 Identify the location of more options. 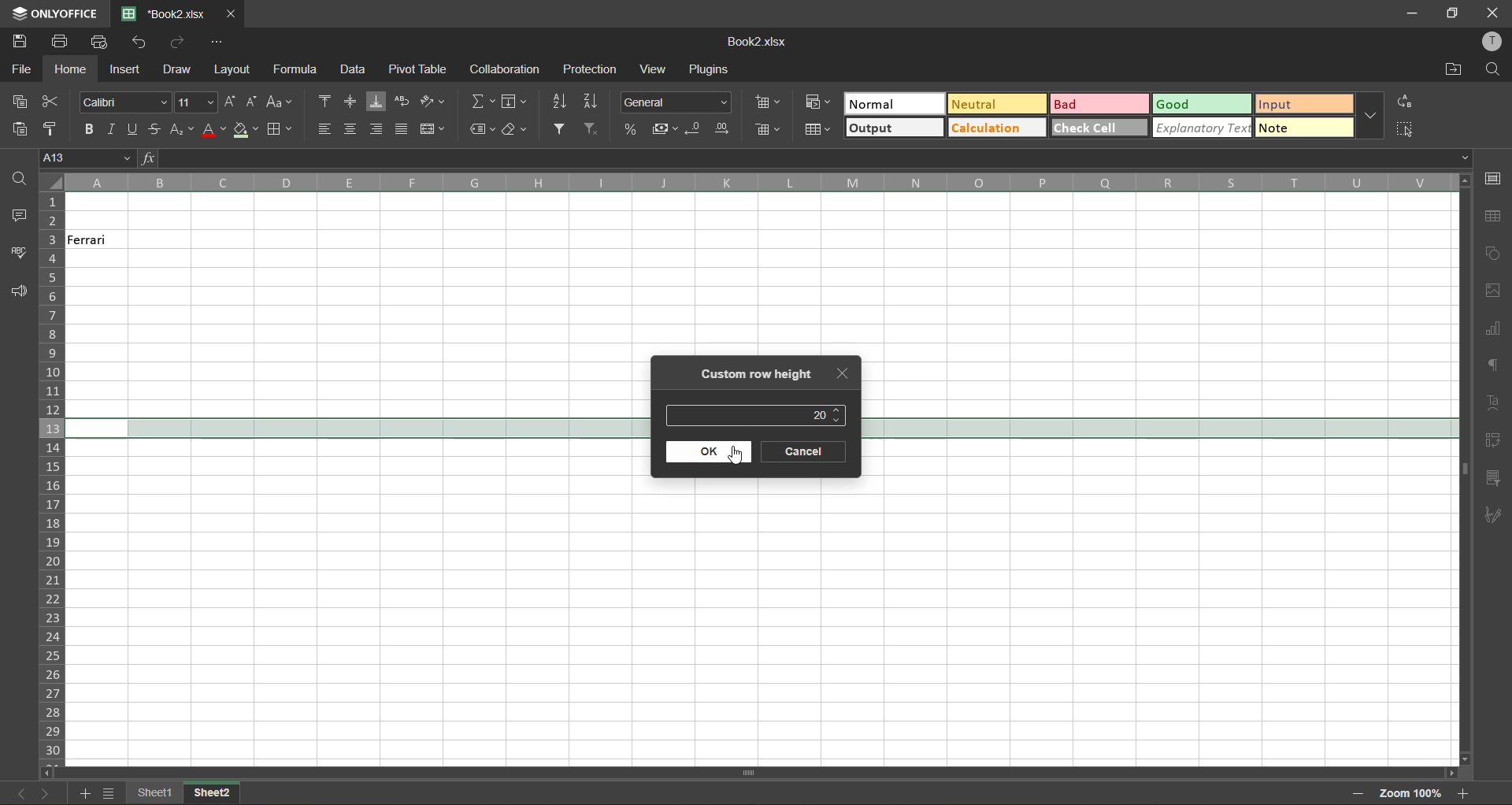
(1371, 116).